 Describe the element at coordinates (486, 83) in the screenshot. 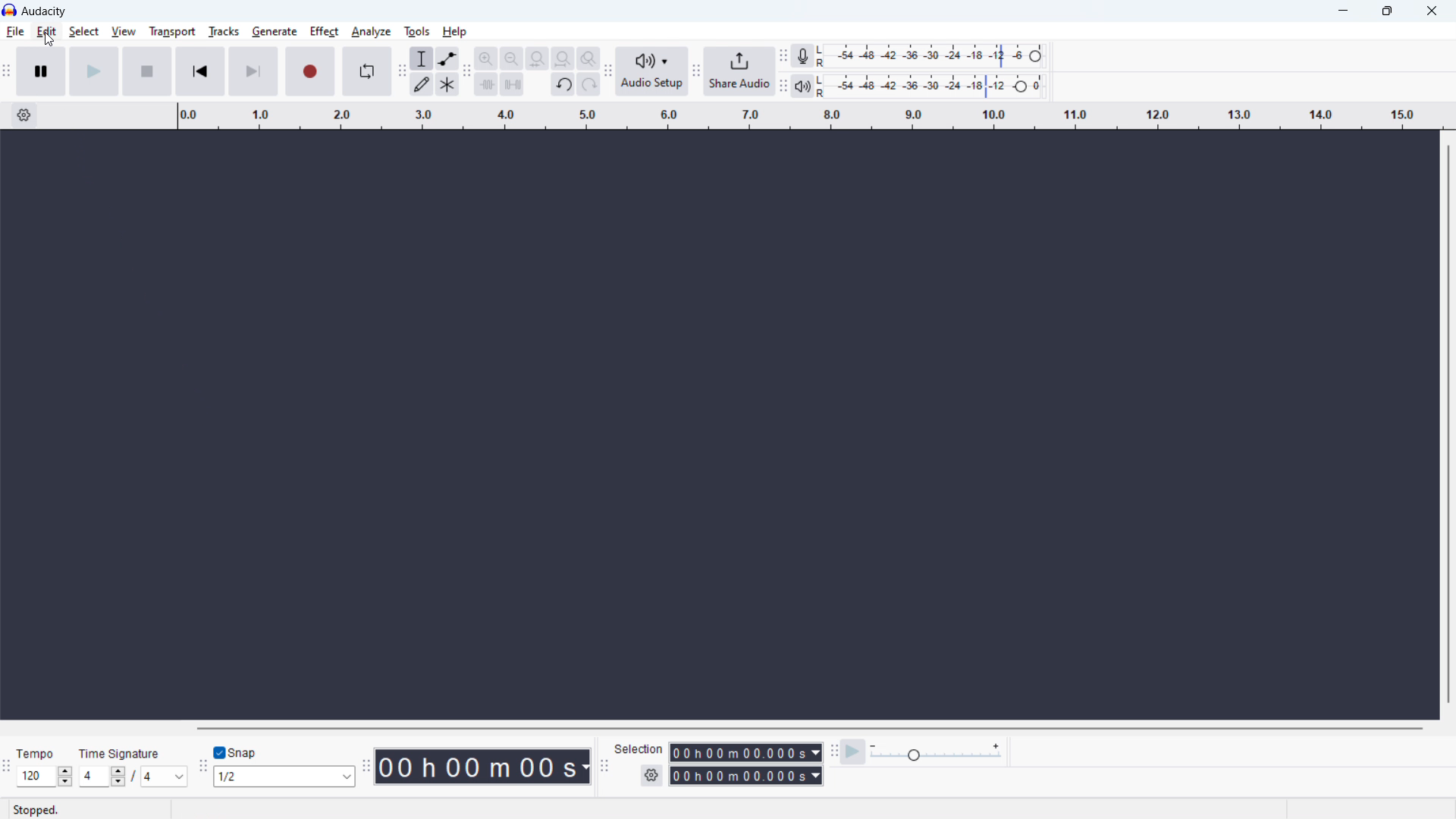

I see `trim audio outside selection` at that location.